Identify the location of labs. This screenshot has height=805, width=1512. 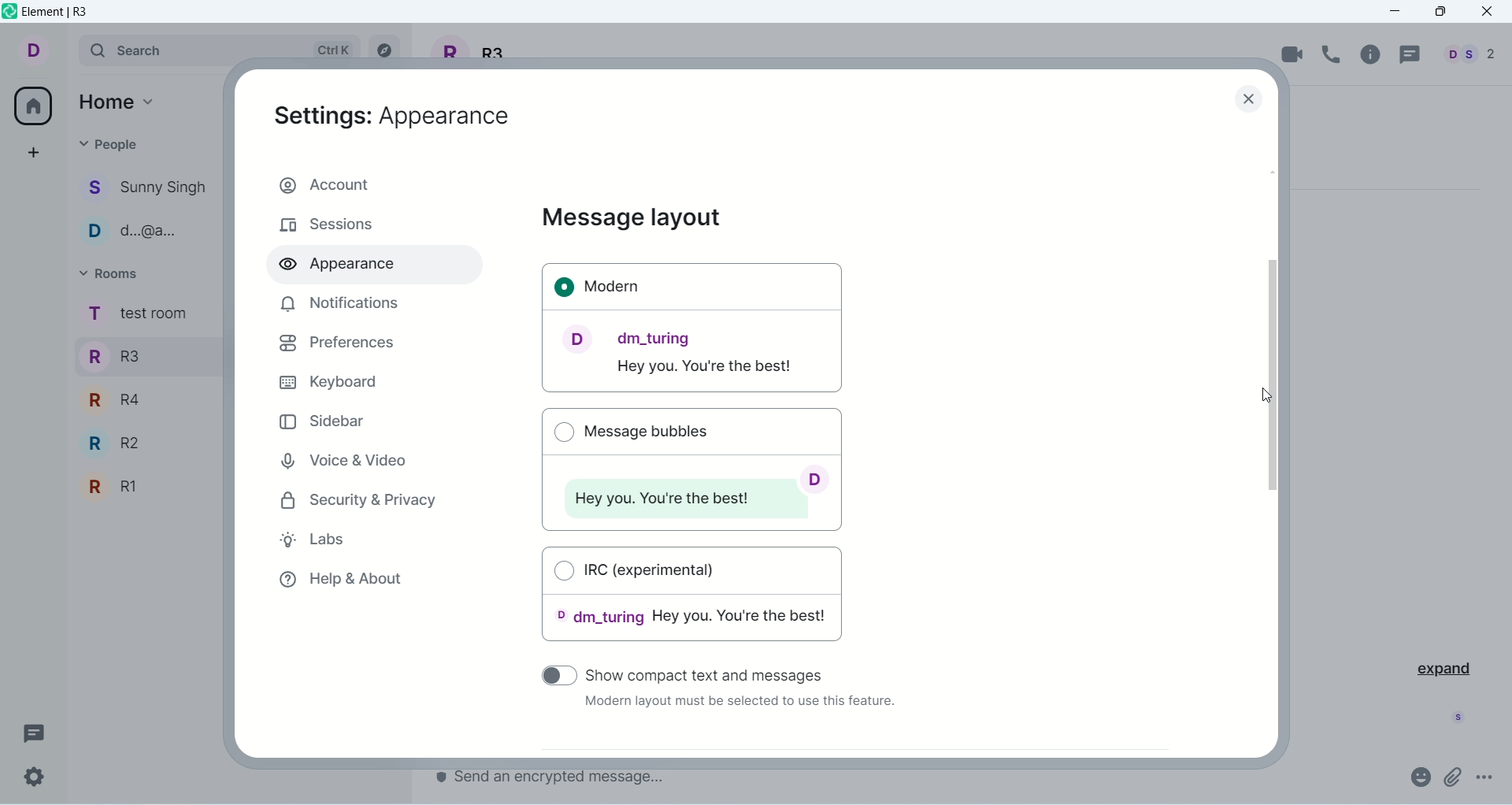
(321, 542).